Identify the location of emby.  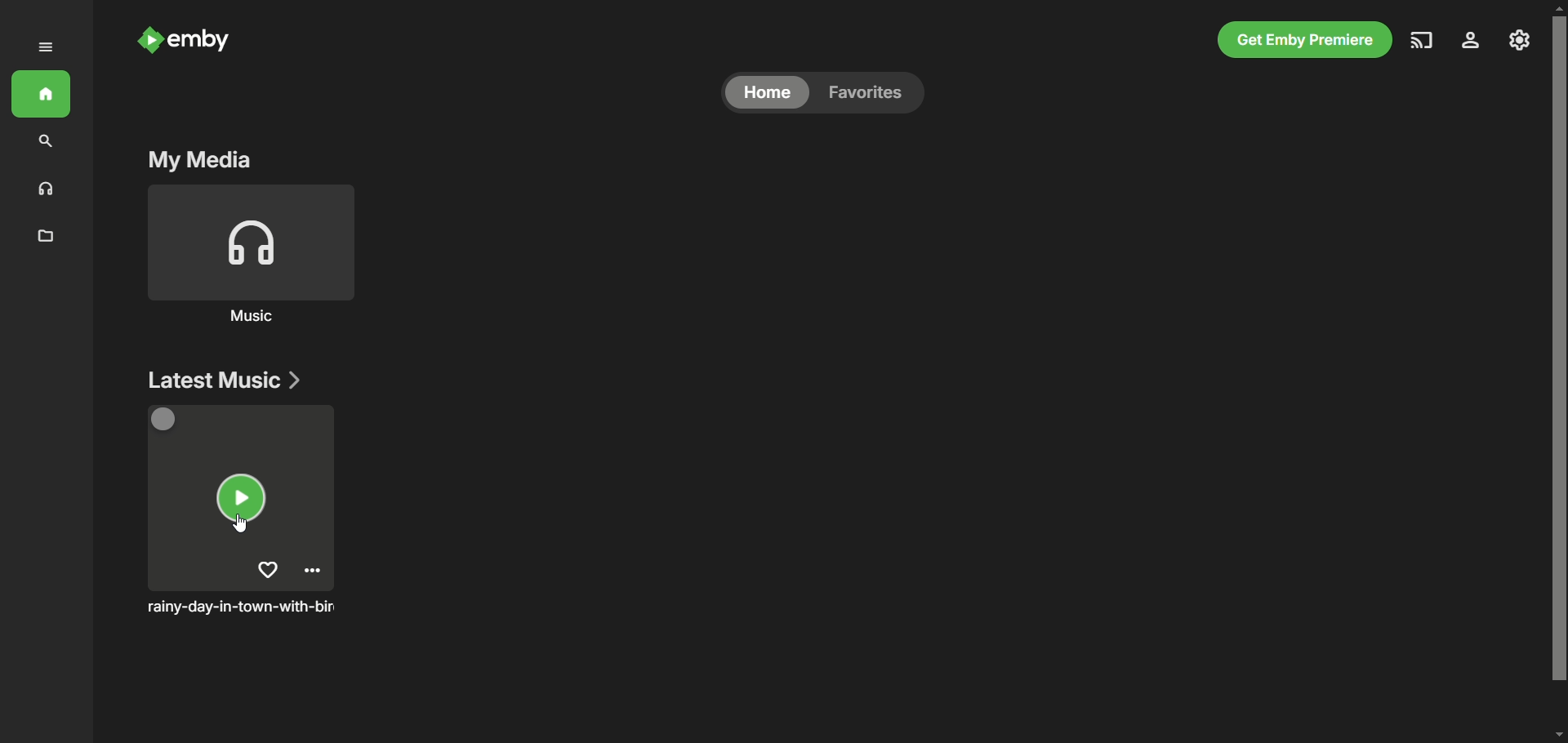
(205, 42).